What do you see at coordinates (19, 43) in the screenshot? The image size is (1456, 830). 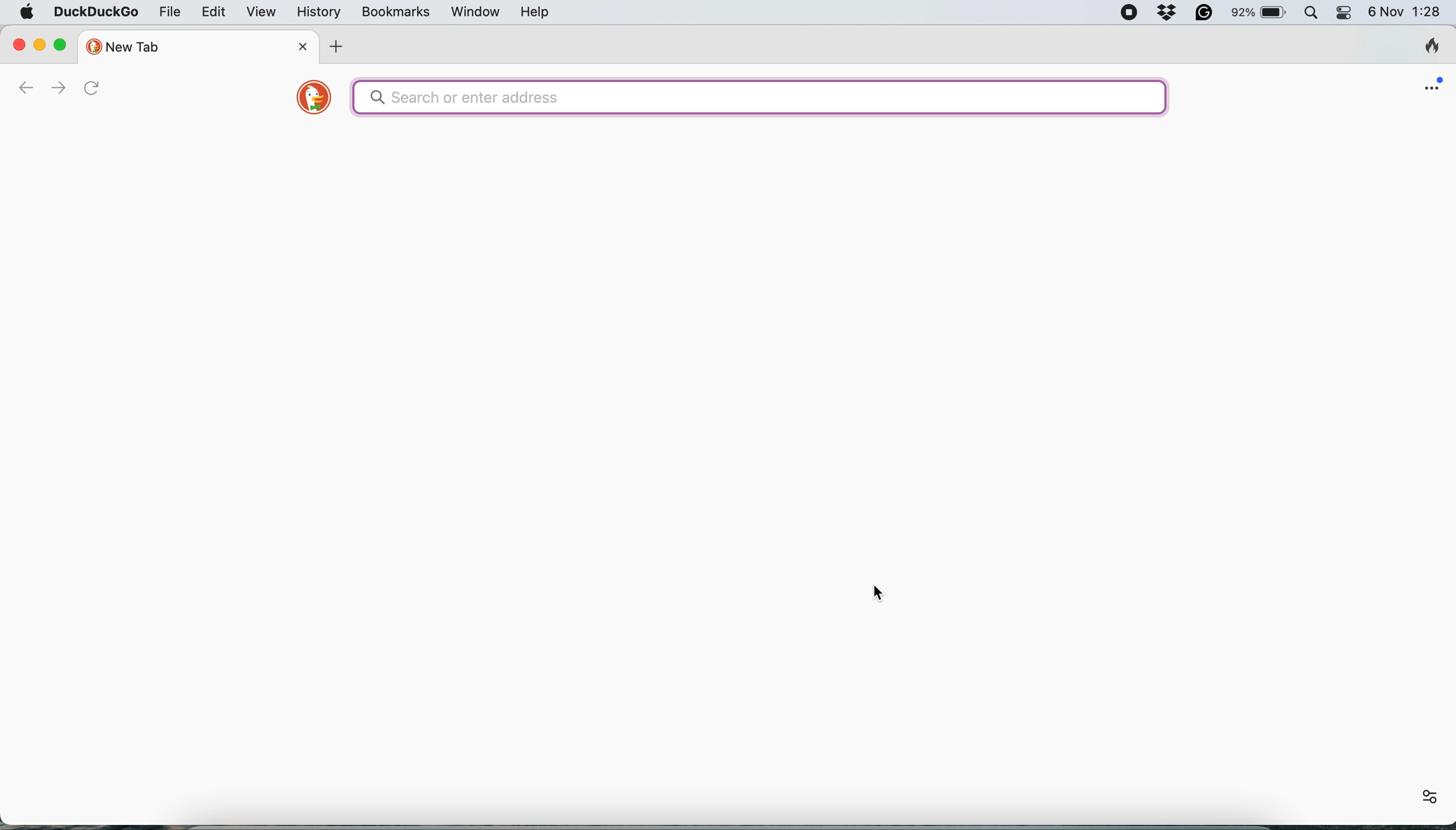 I see `close` at bounding box center [19, 43].